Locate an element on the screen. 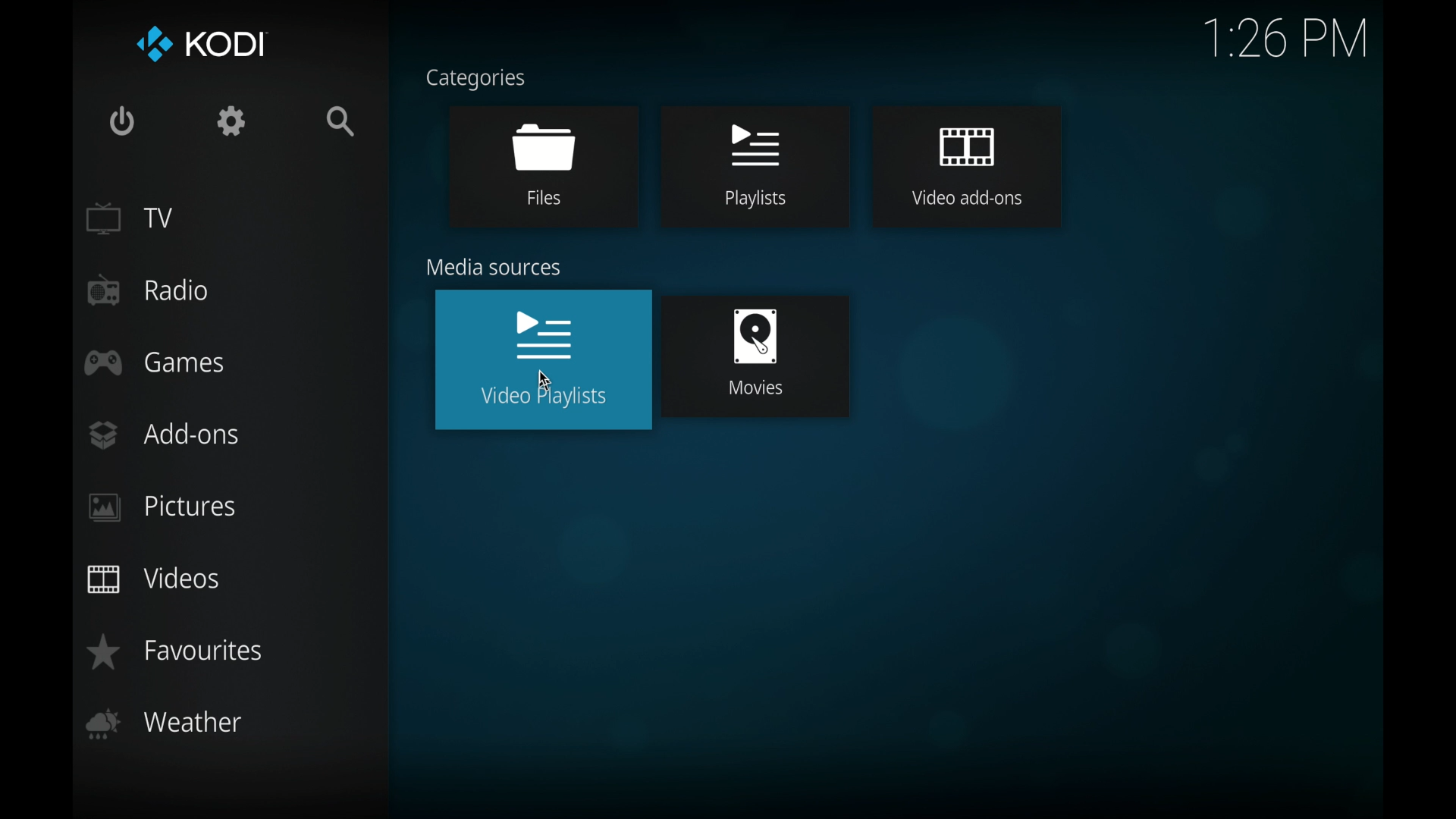  time is located at coordinates (1285, 39).